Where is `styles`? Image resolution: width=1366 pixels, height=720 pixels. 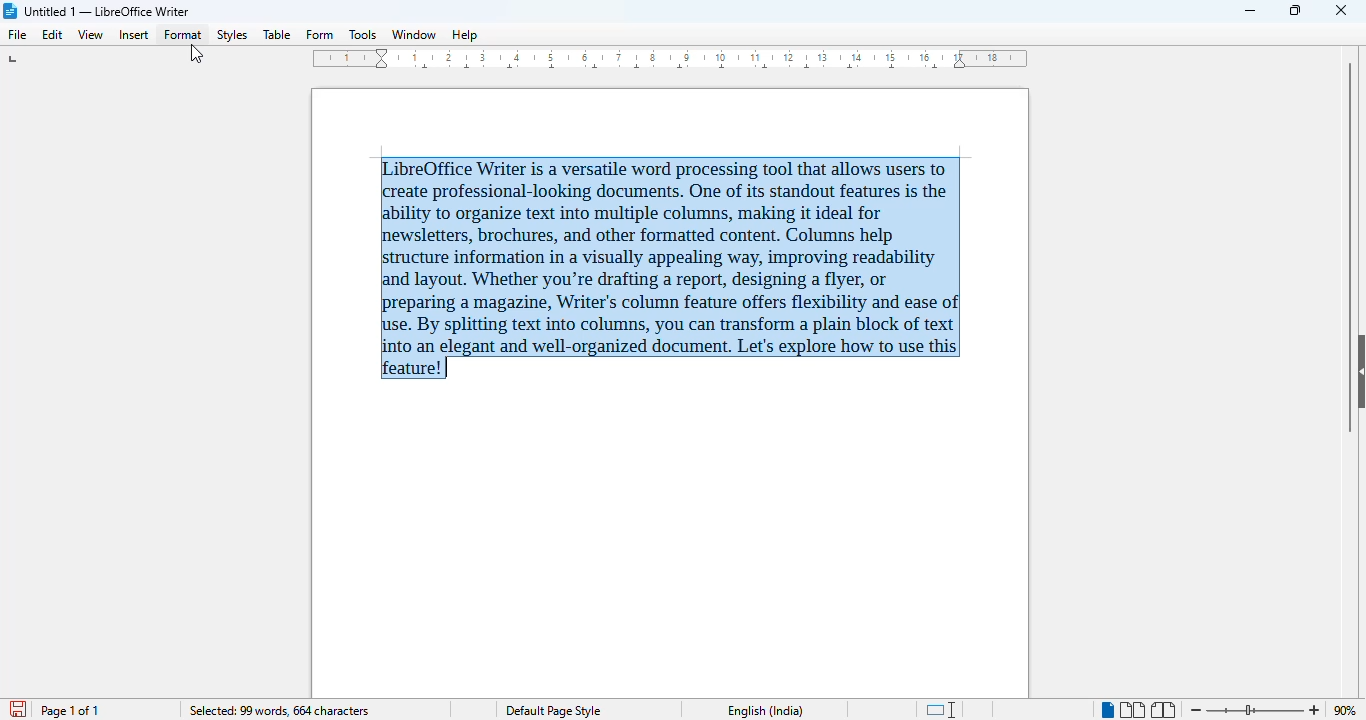
styles is located at coordinates (232, 35).